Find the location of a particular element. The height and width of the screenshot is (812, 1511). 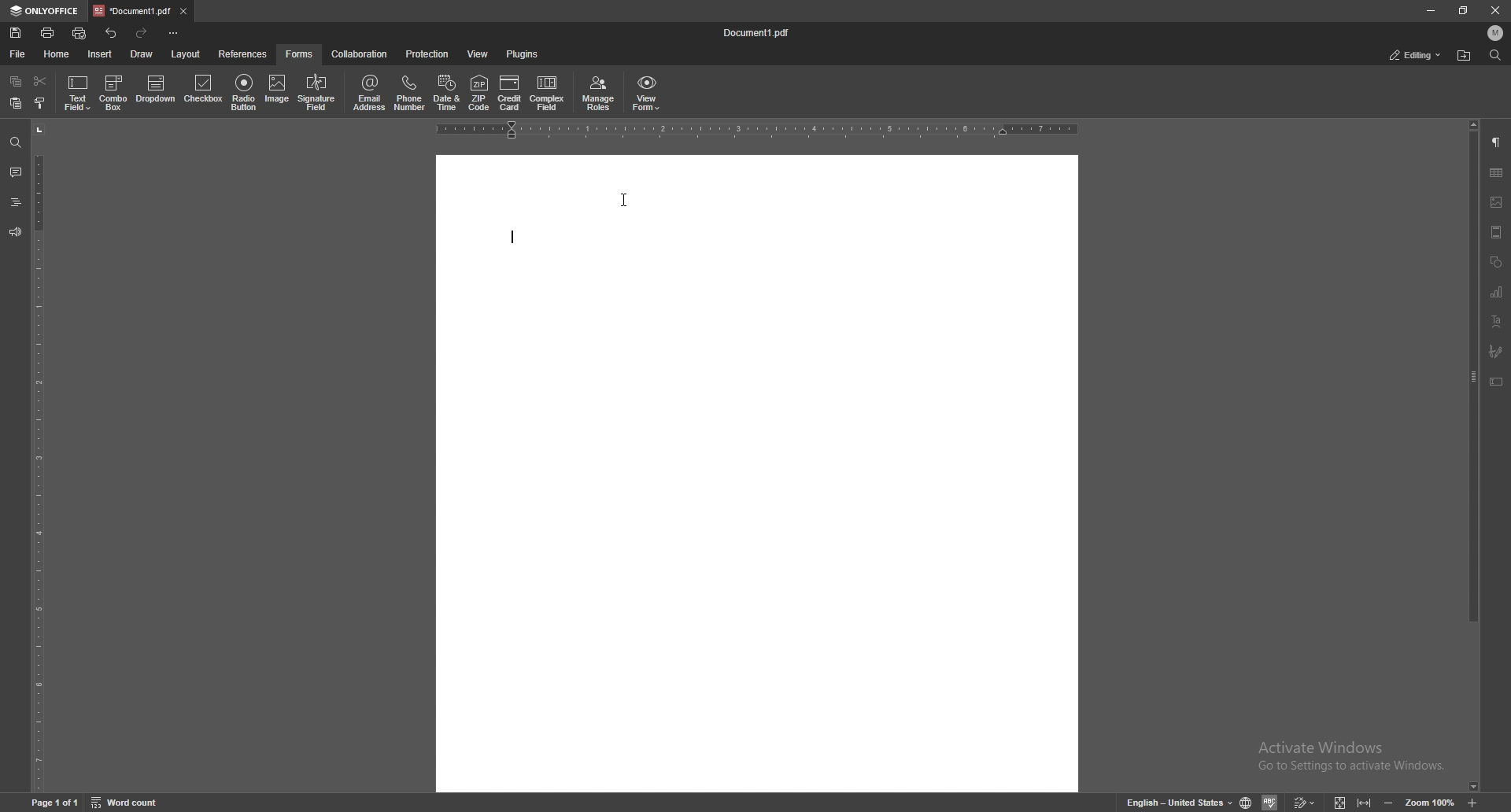

doc is located at coordinates (760, 474).